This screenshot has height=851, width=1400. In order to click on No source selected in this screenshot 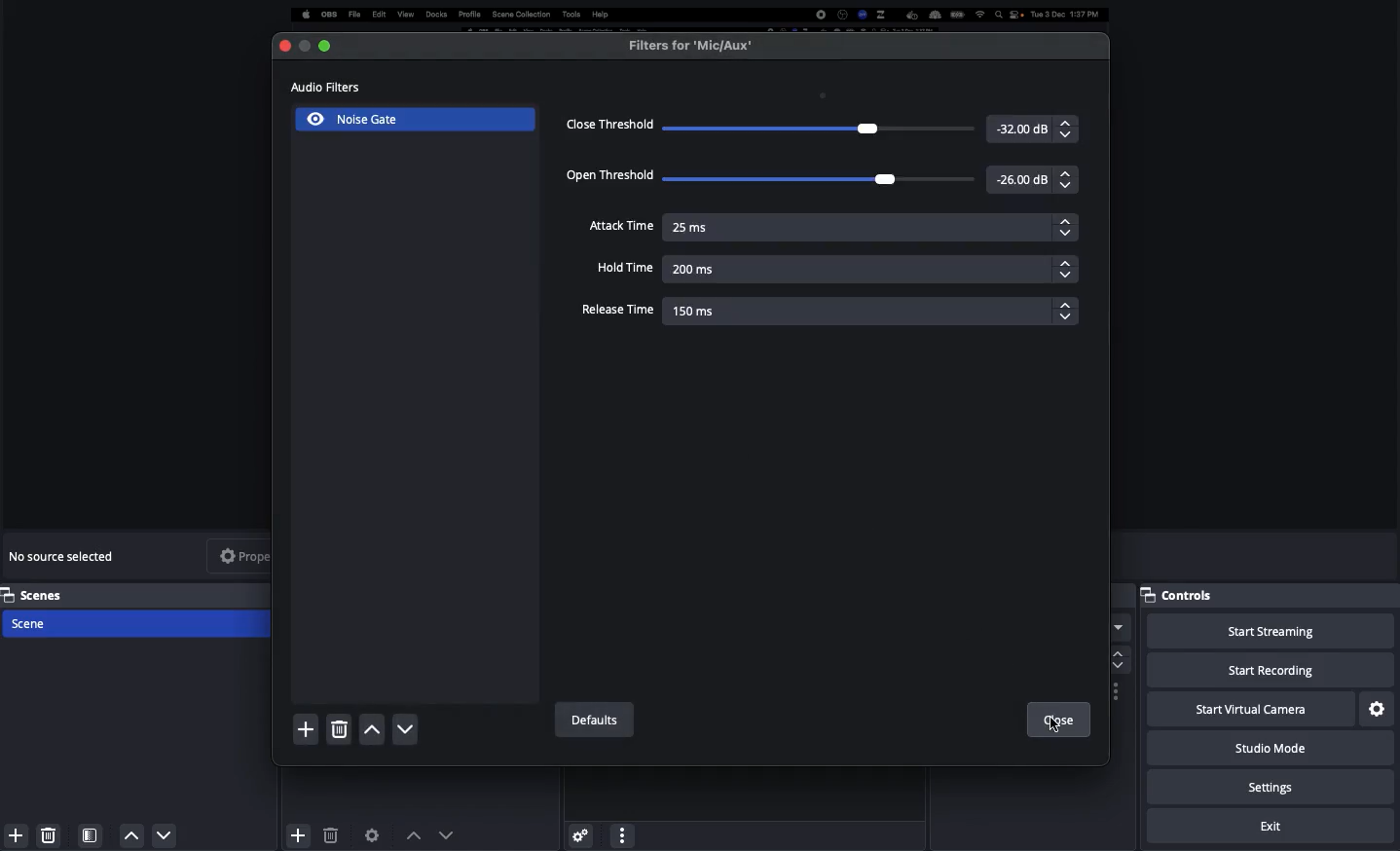, I will do `click(66, 556)`.